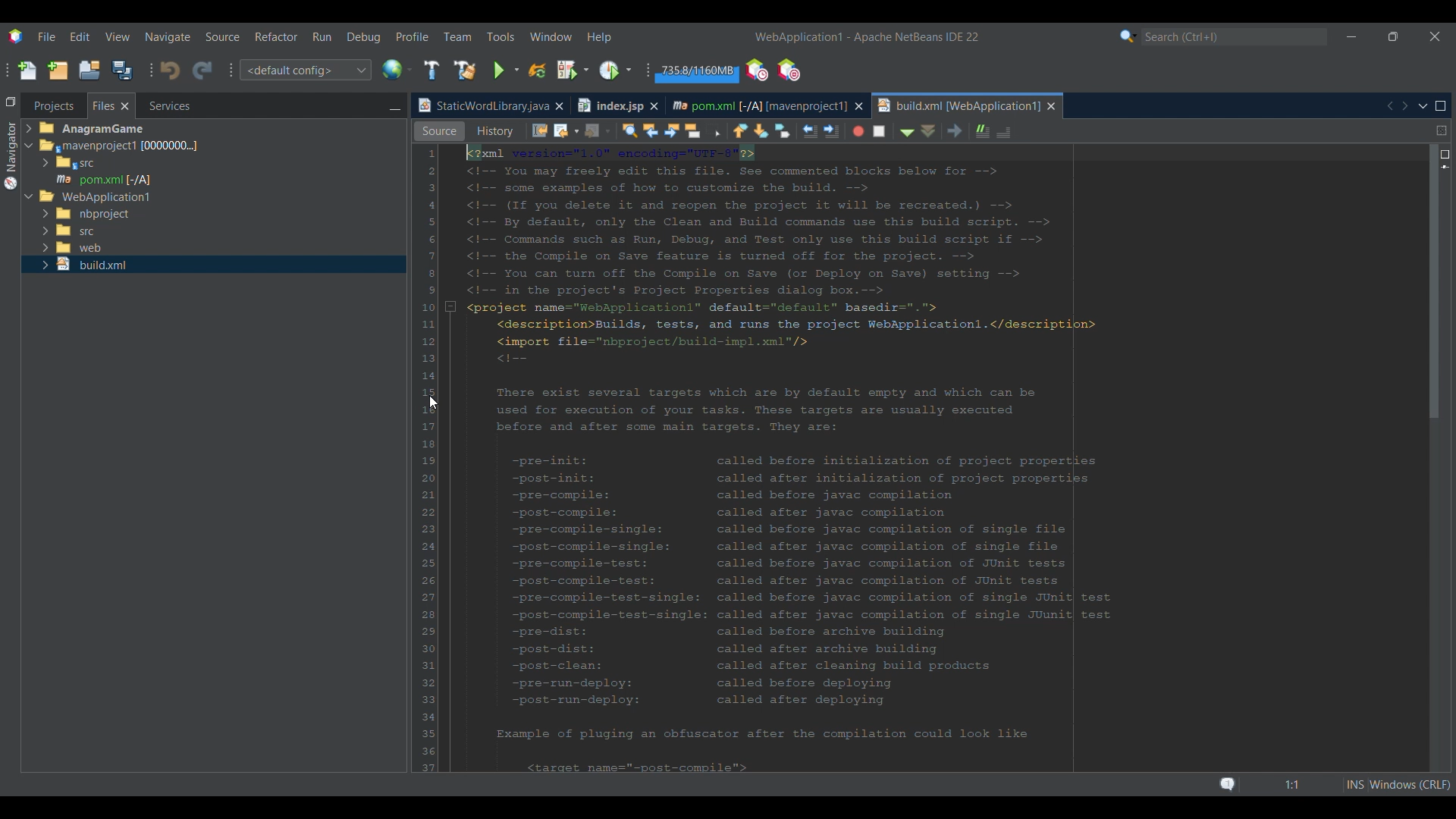  Describe the element at coordinates (1128, 36) in the screenshot. I see `Search category selection` at that location.